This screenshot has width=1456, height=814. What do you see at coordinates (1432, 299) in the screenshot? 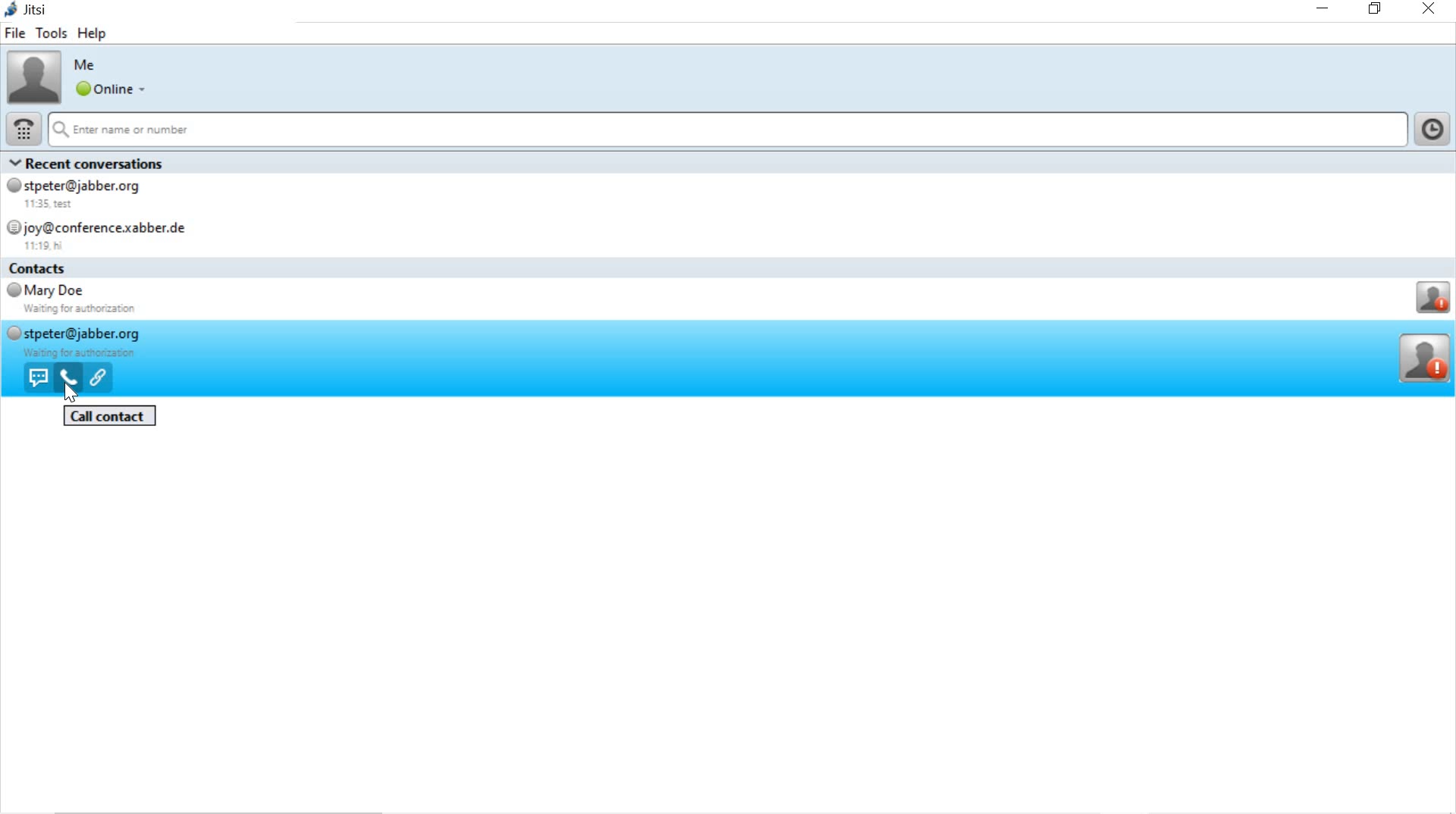
I see `Profile` at bounding box center [1432, 299].